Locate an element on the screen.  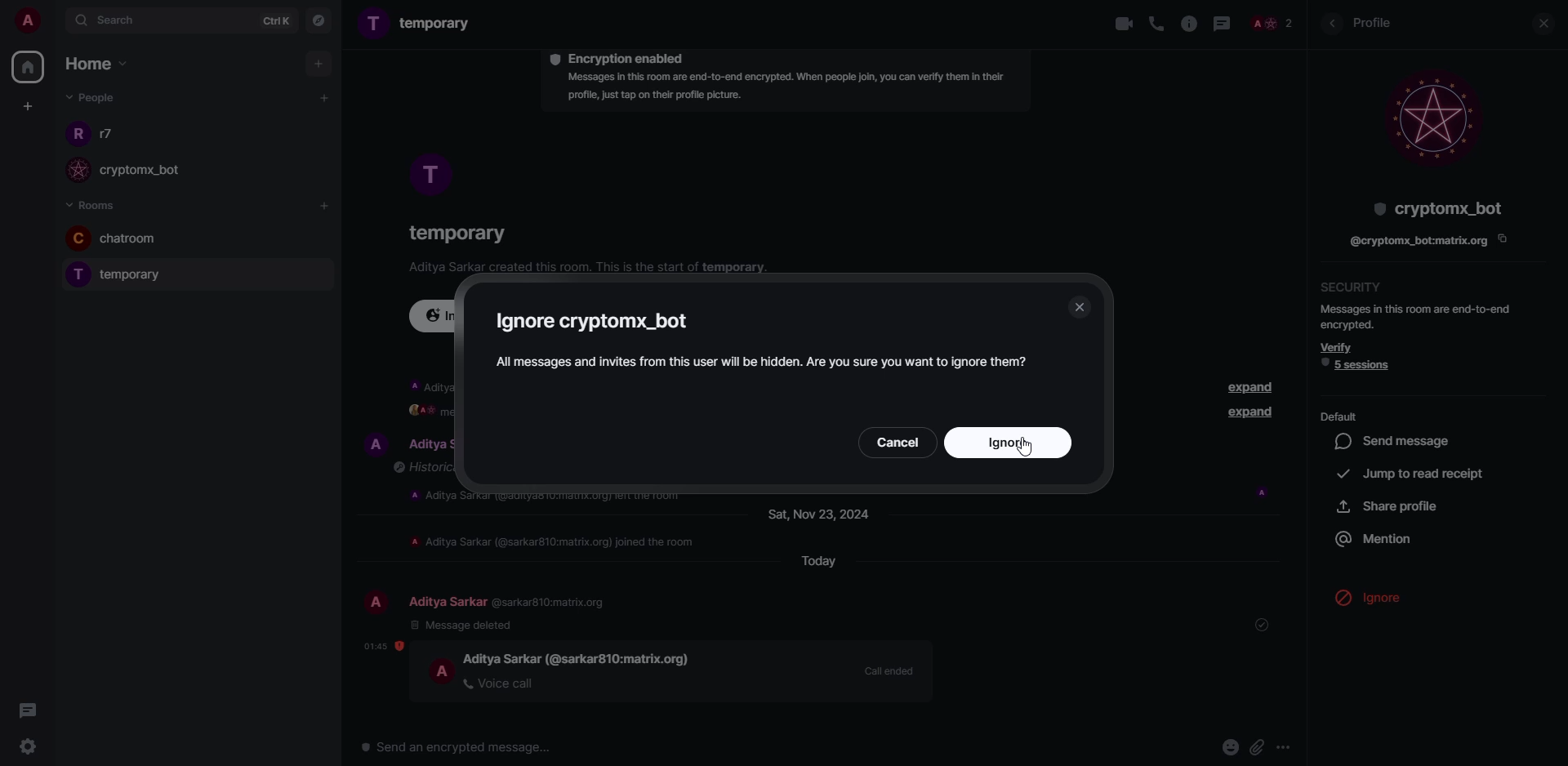
emoji is located at coordinates (1231, 746).